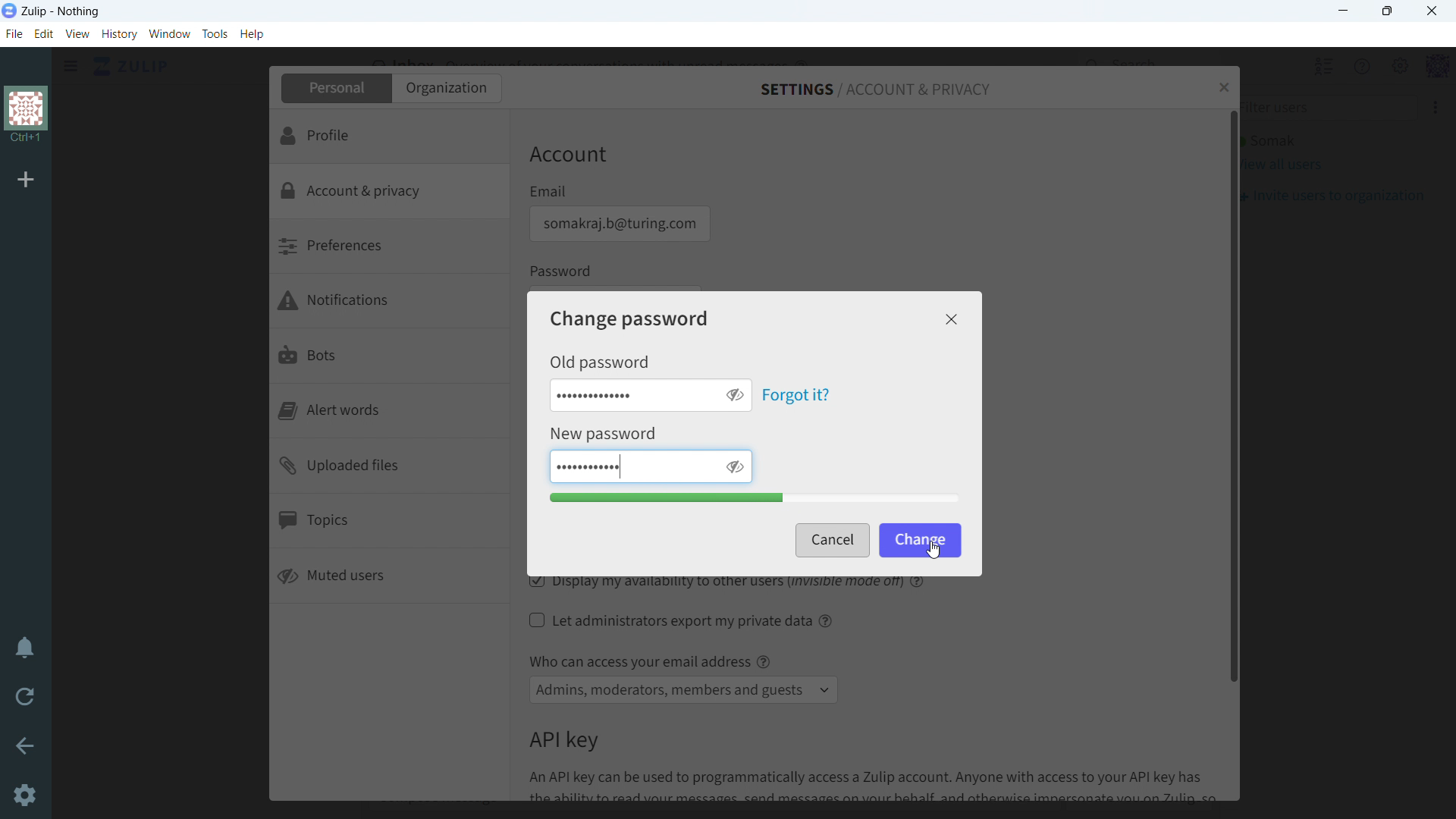 The width and height of the screenshot is (1456, 819). What do you see at coordinates (61, 11) in the screenshot?
I see `title` at bounding box center [61, 11].